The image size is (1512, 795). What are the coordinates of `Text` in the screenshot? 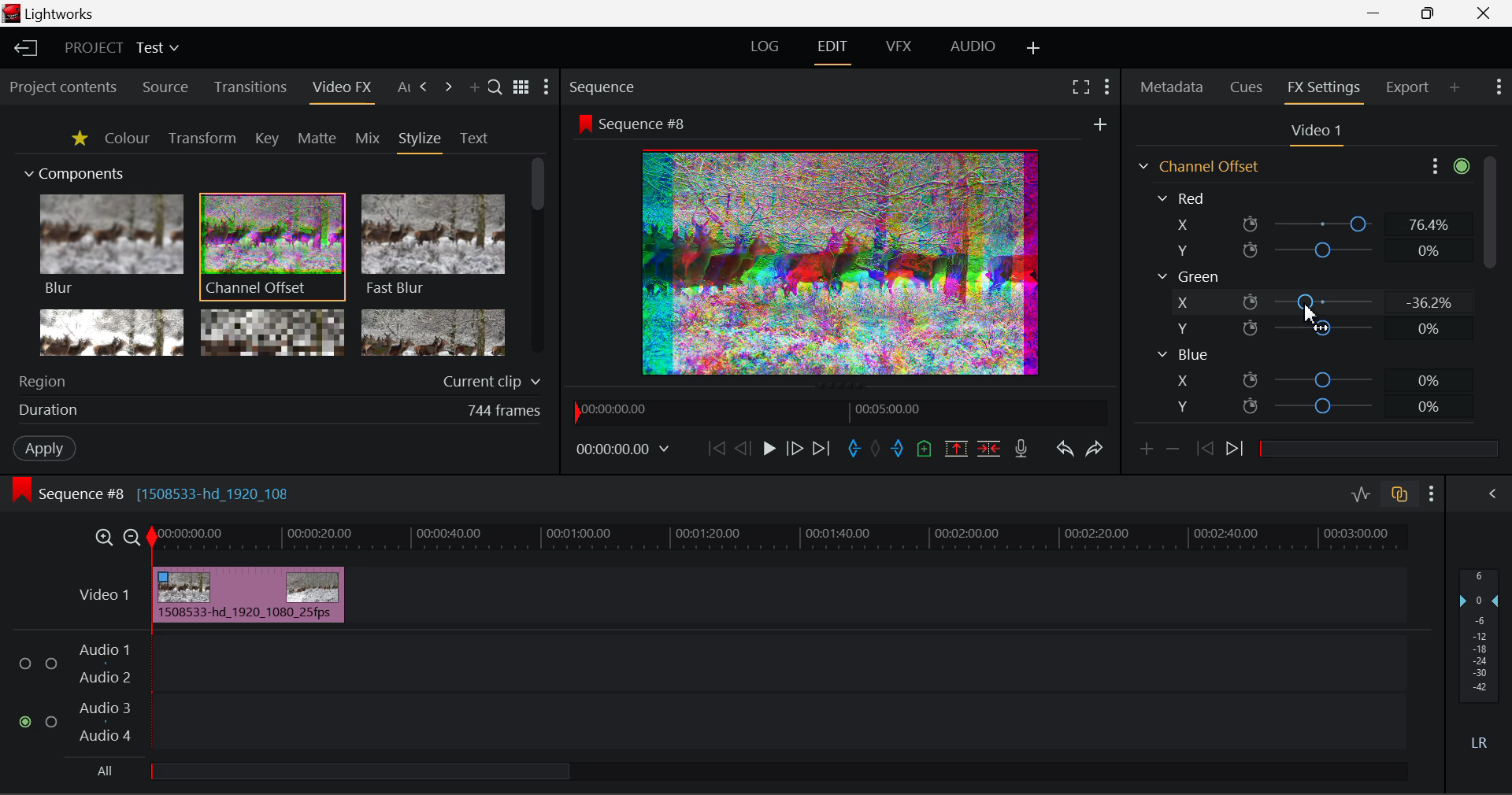 It's located at (473, 139).